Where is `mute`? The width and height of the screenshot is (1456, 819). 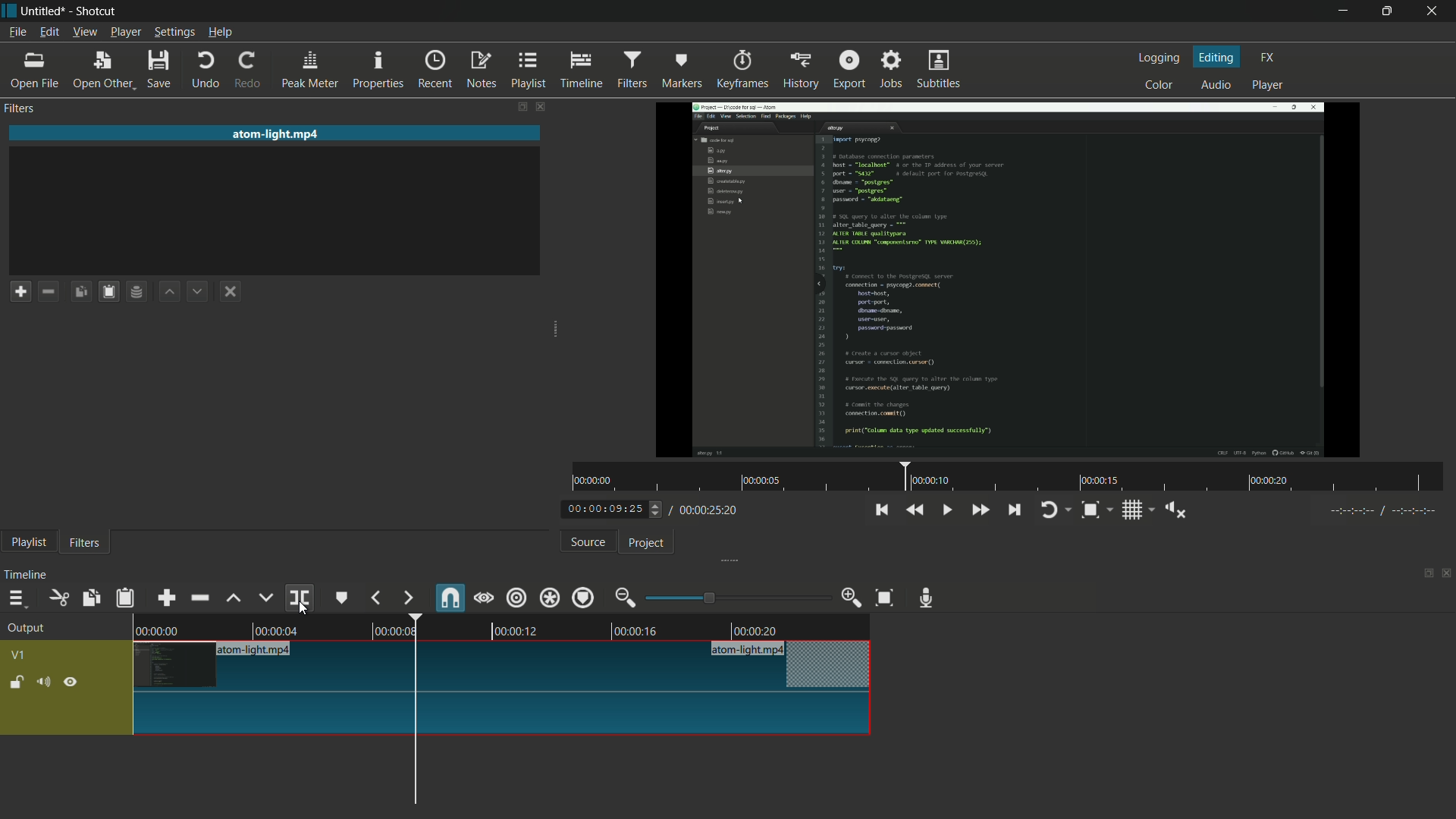 mute is located at coordinates (42, 681).